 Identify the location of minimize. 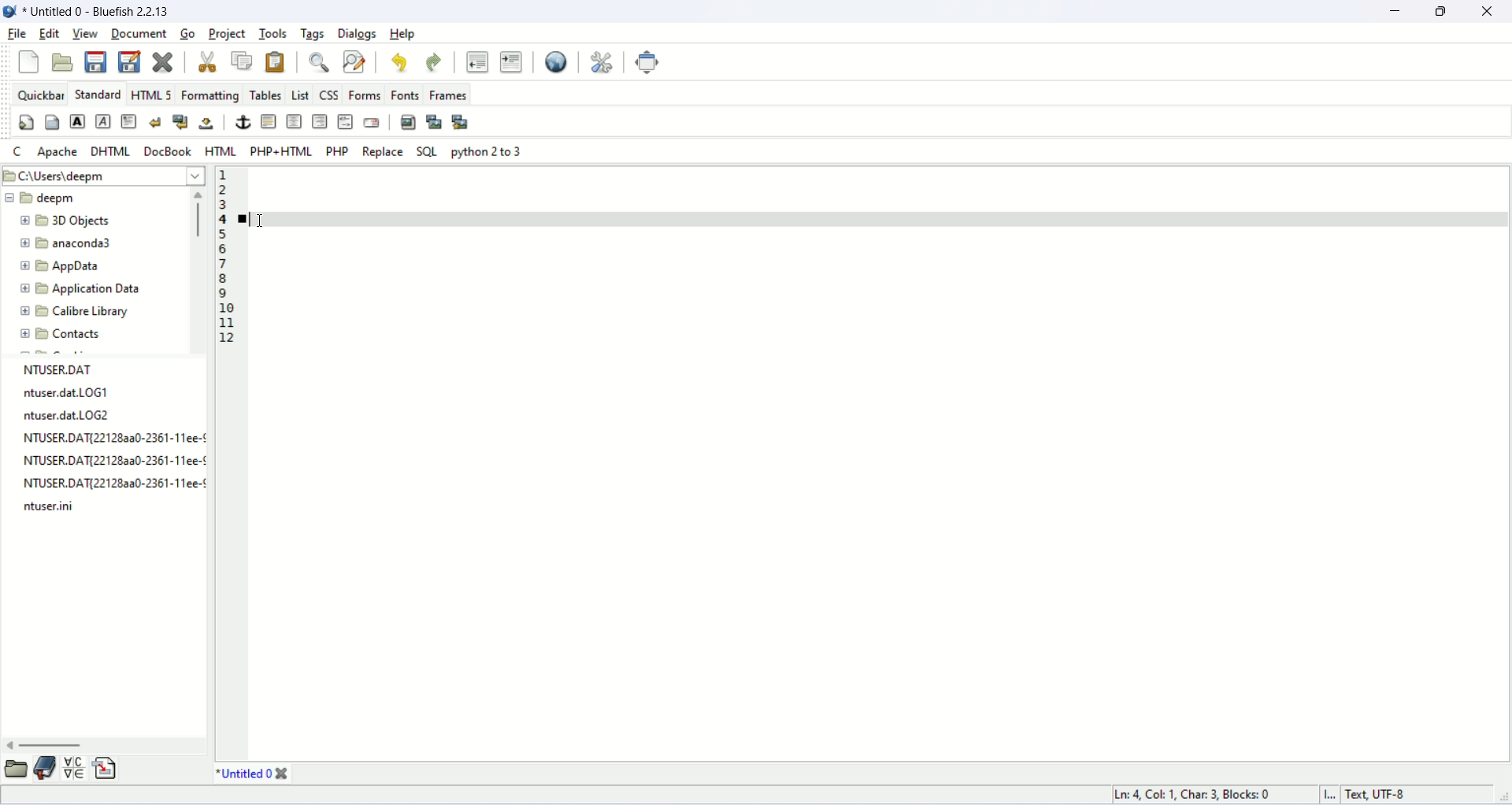
(1395, 13).